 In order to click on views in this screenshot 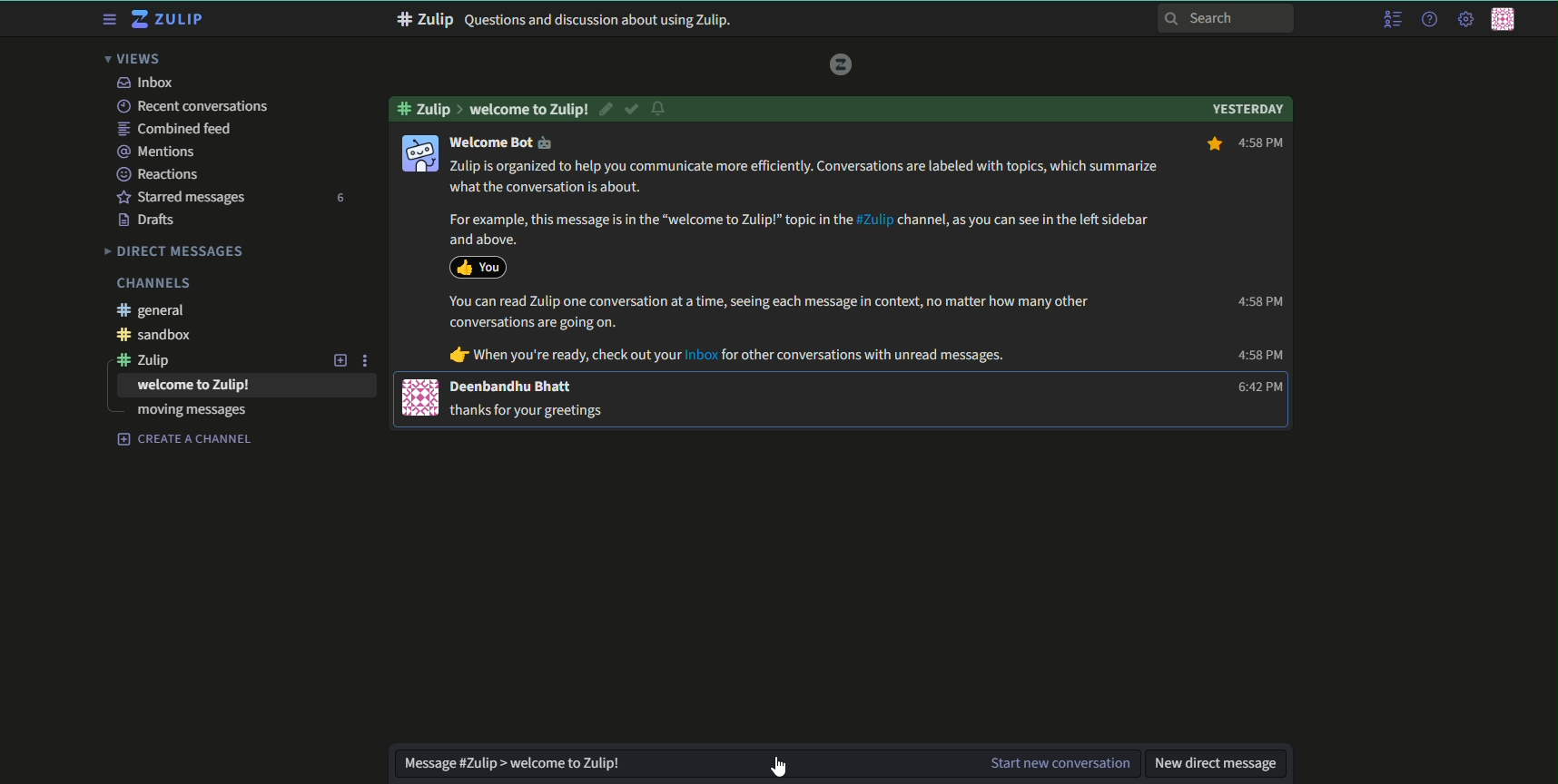, I will do `click(138, 59)`.